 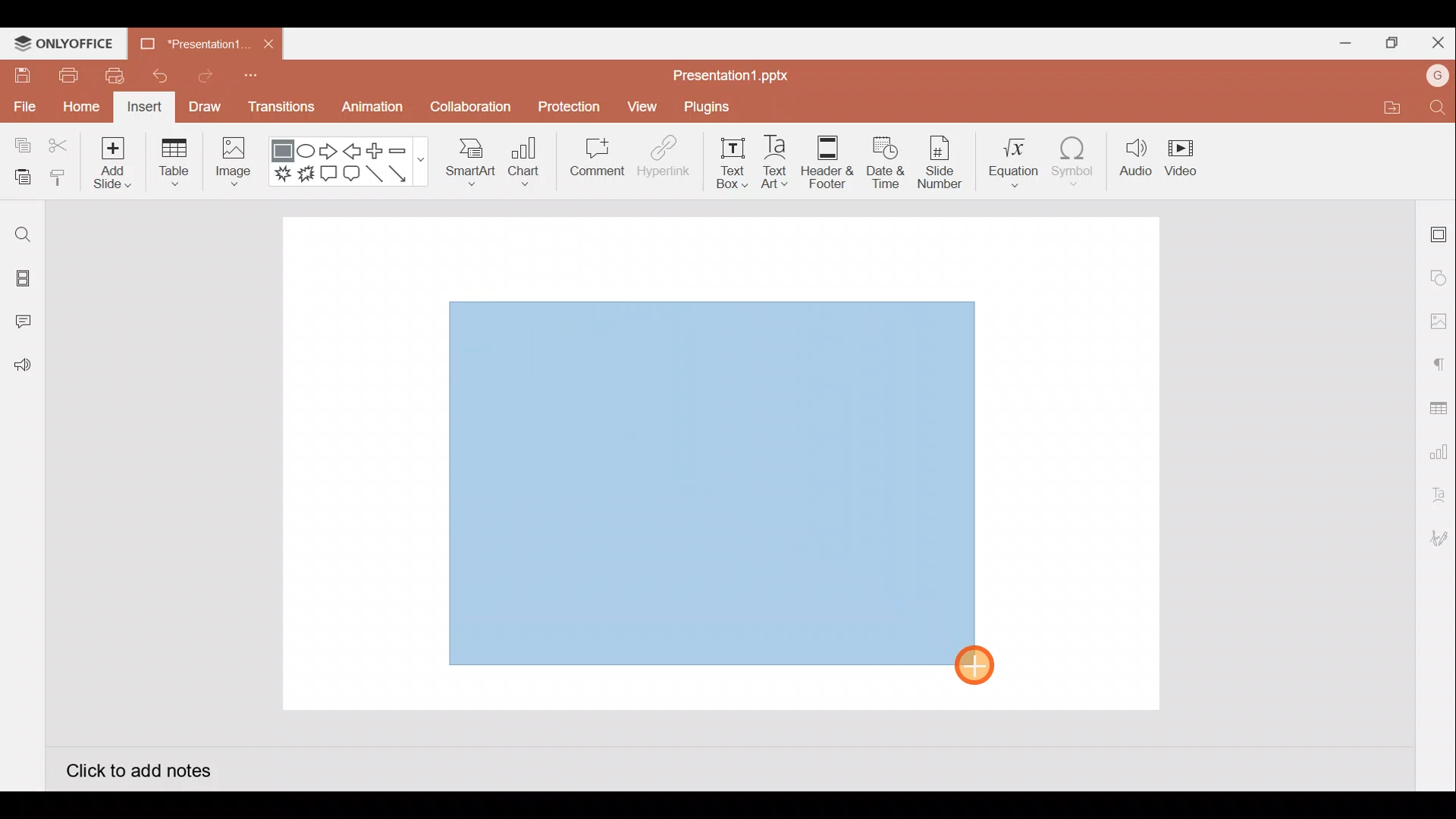 I want to click on Print file, so click(x=67, y=74).